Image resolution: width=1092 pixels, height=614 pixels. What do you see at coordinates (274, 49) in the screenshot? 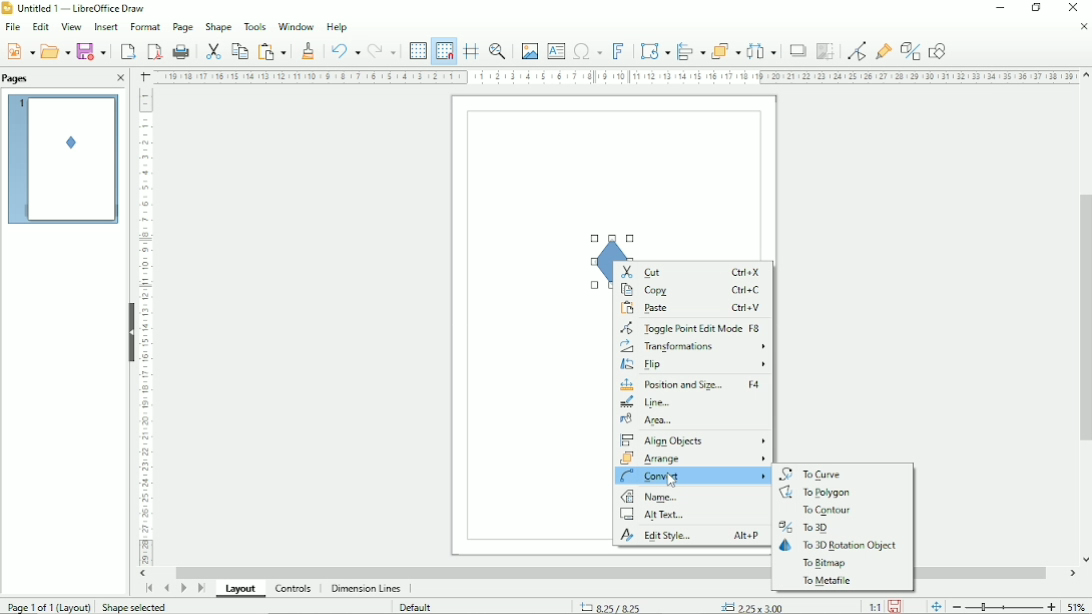
I see `Paste` at bounding box center [274, 49].